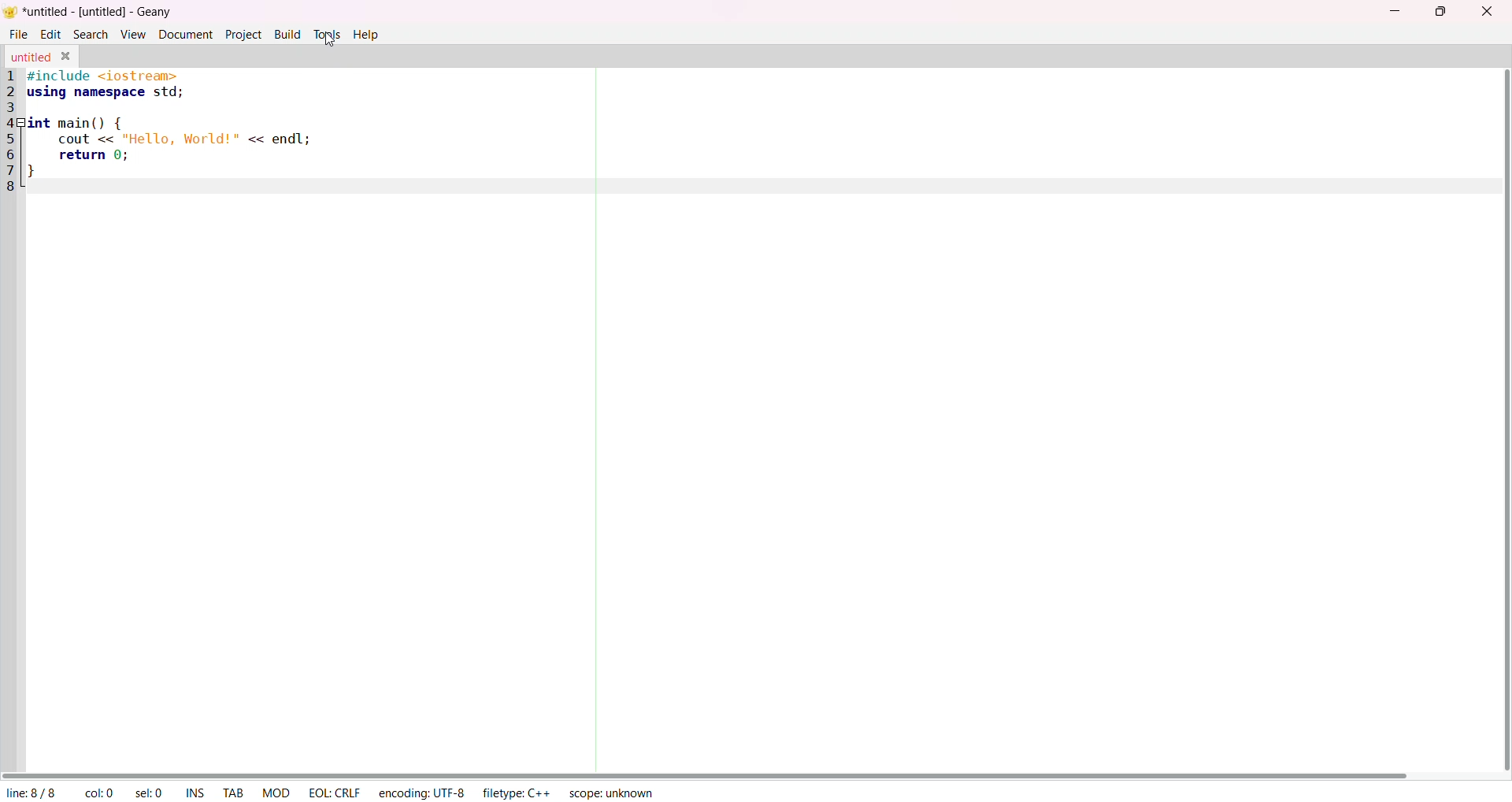  Describe the element at coordinates (287, 34) in the screenshot. I see `Build` at that location.